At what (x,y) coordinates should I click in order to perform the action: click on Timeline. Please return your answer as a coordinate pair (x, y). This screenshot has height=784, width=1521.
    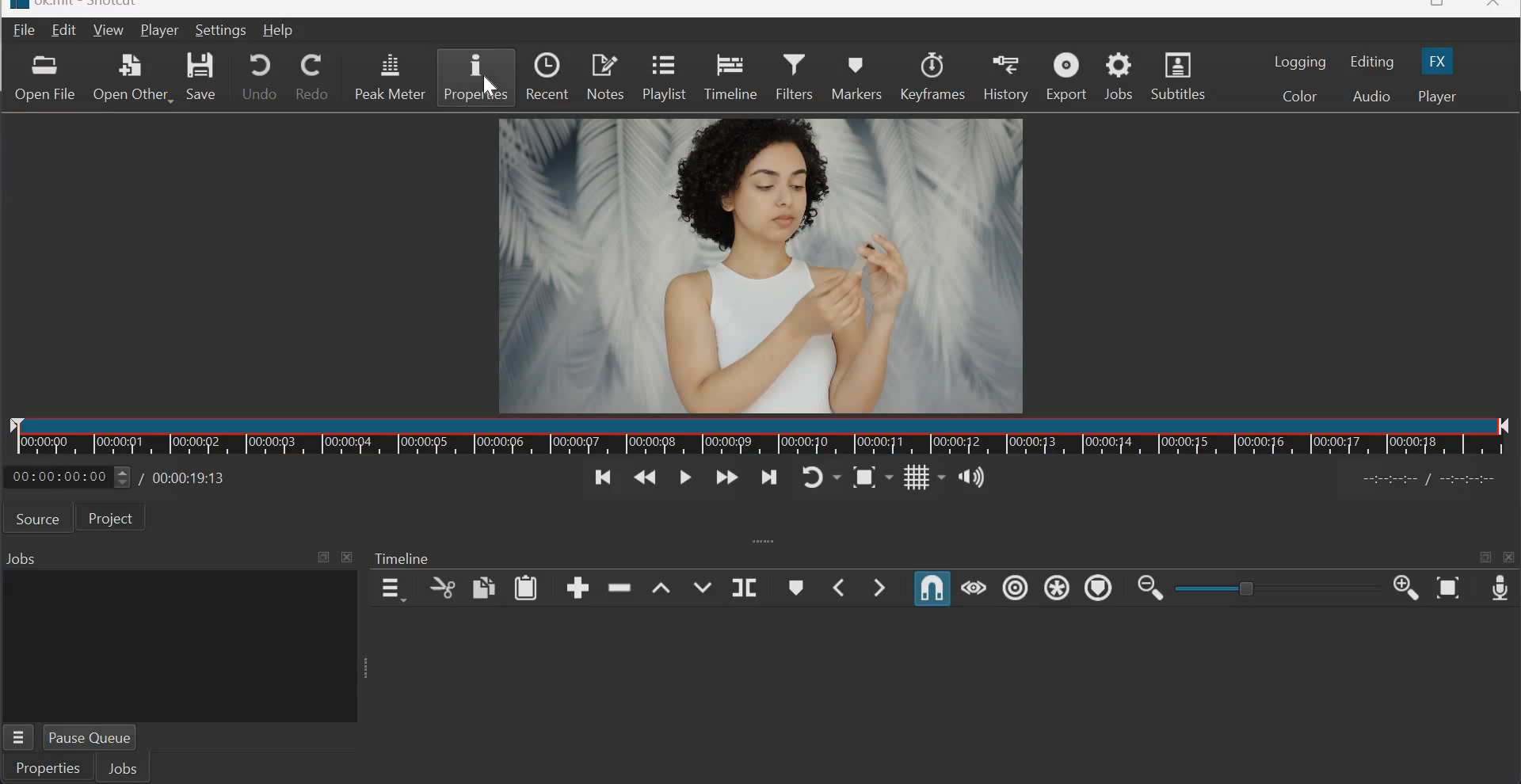
    Looking at the image, I should click on (730, 77).